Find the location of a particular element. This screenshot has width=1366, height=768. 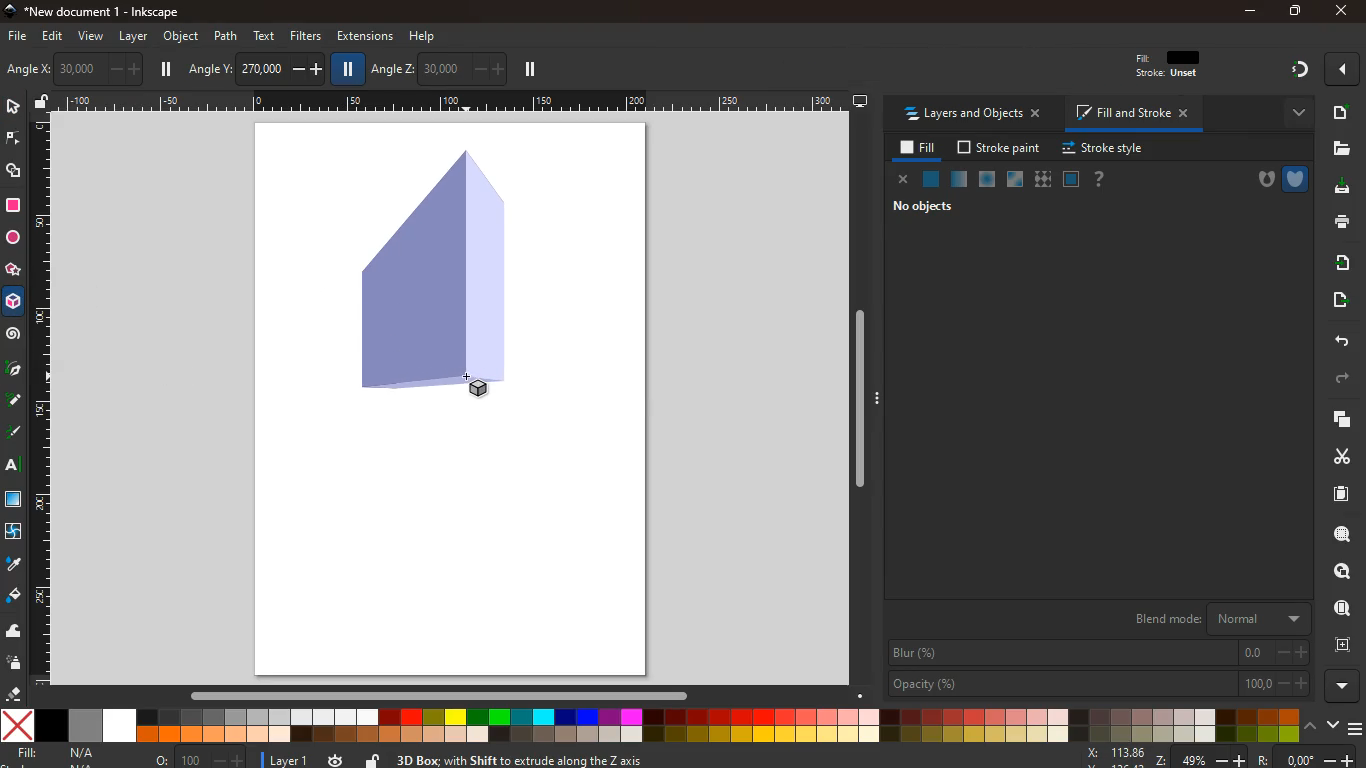

draw is located at coordinates (14, 436).